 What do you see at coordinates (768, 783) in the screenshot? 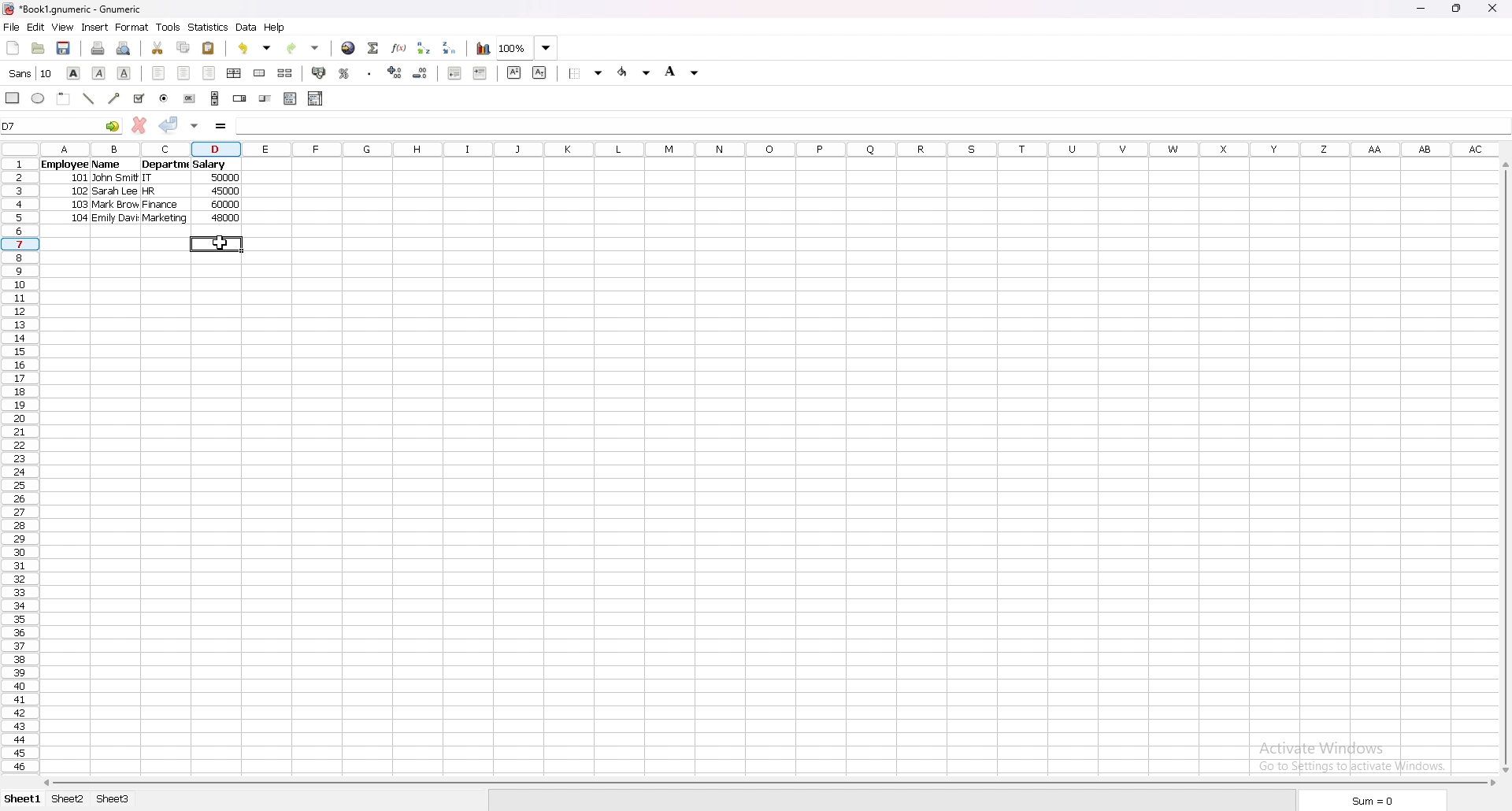
I see `scroll bar` at bounding box center [768, 783].